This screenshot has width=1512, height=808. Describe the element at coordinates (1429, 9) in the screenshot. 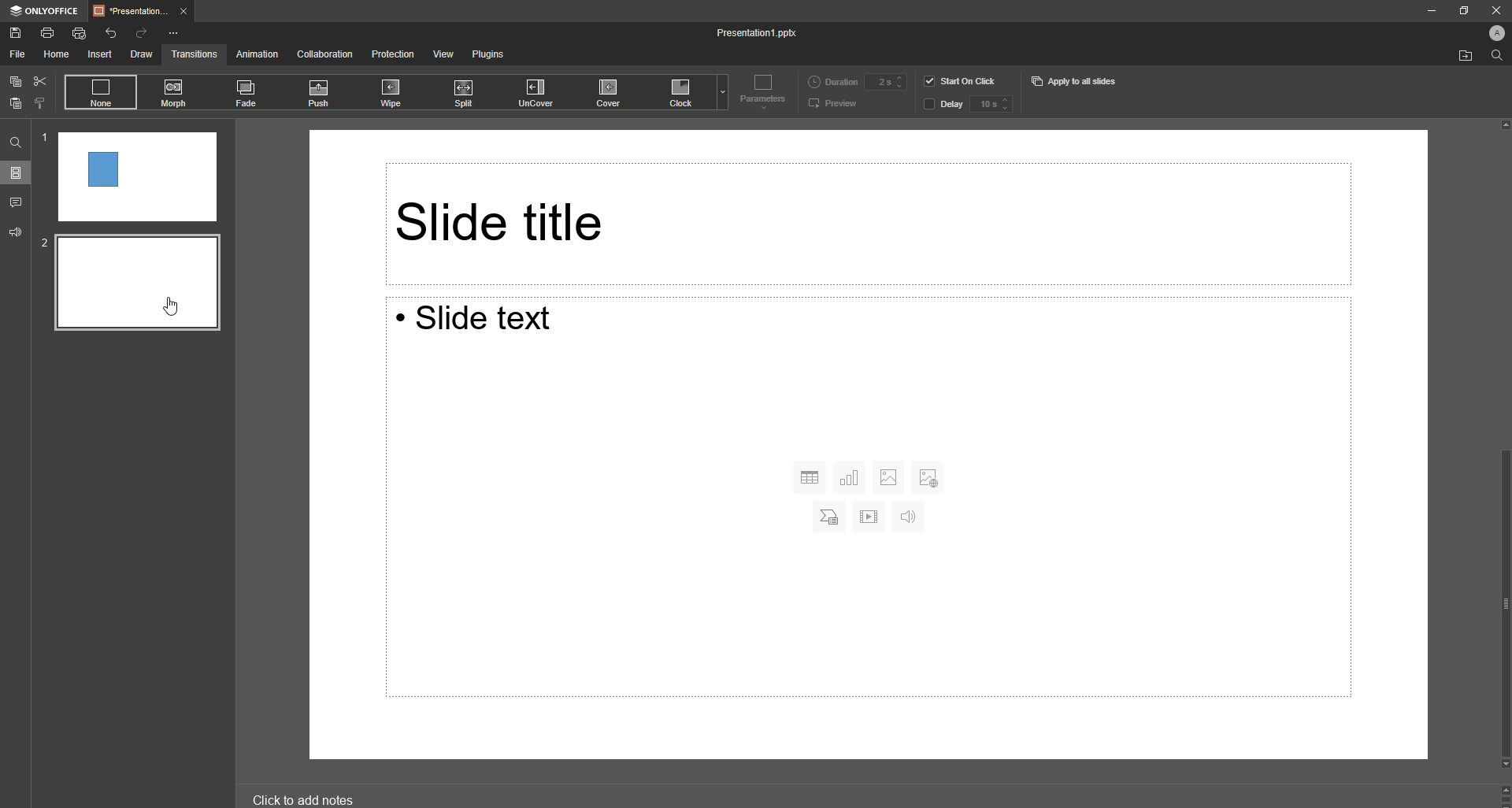

I see `Minimize` at that location.